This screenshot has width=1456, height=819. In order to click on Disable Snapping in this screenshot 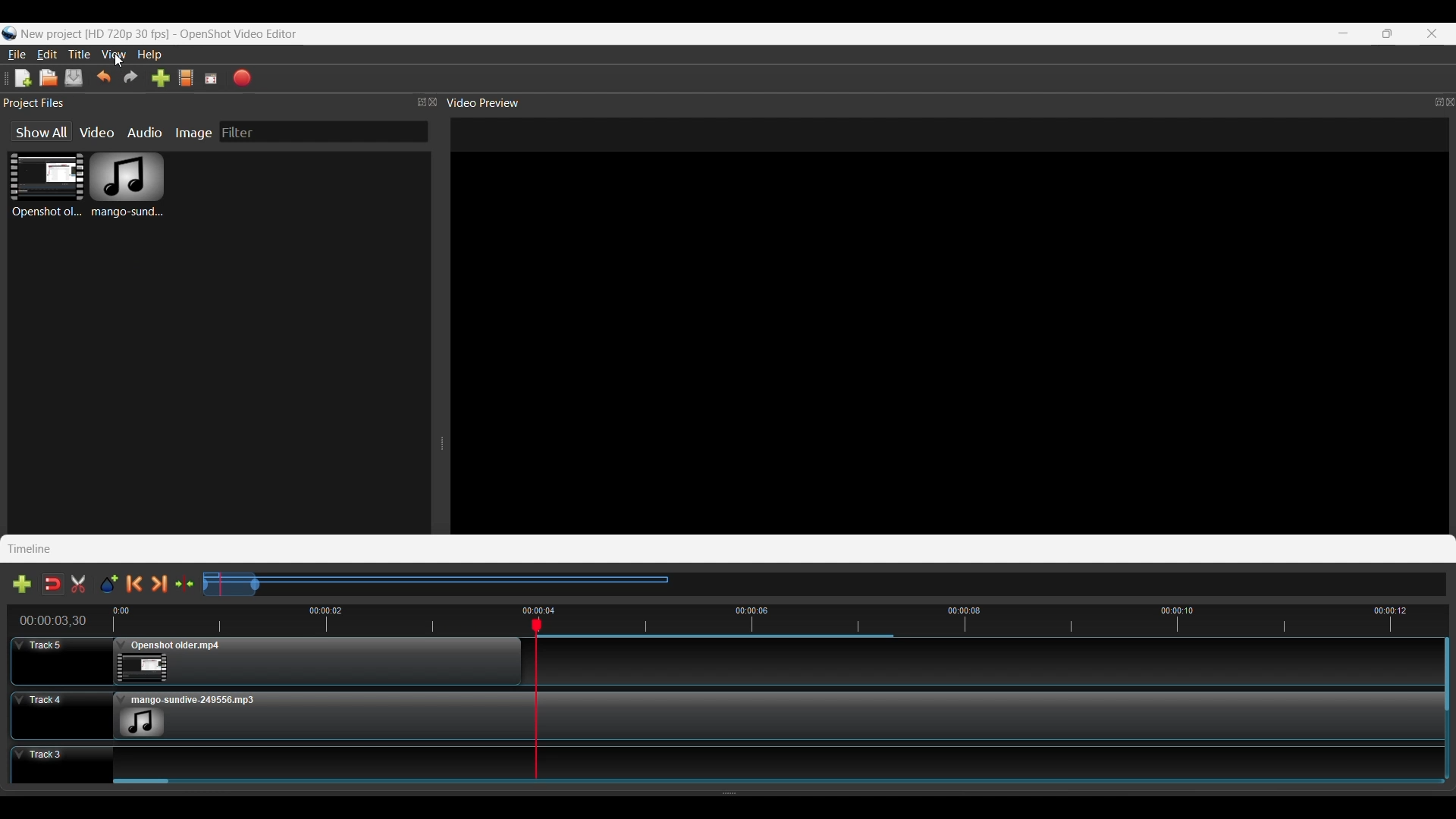, I will do `click(53, 583)`.